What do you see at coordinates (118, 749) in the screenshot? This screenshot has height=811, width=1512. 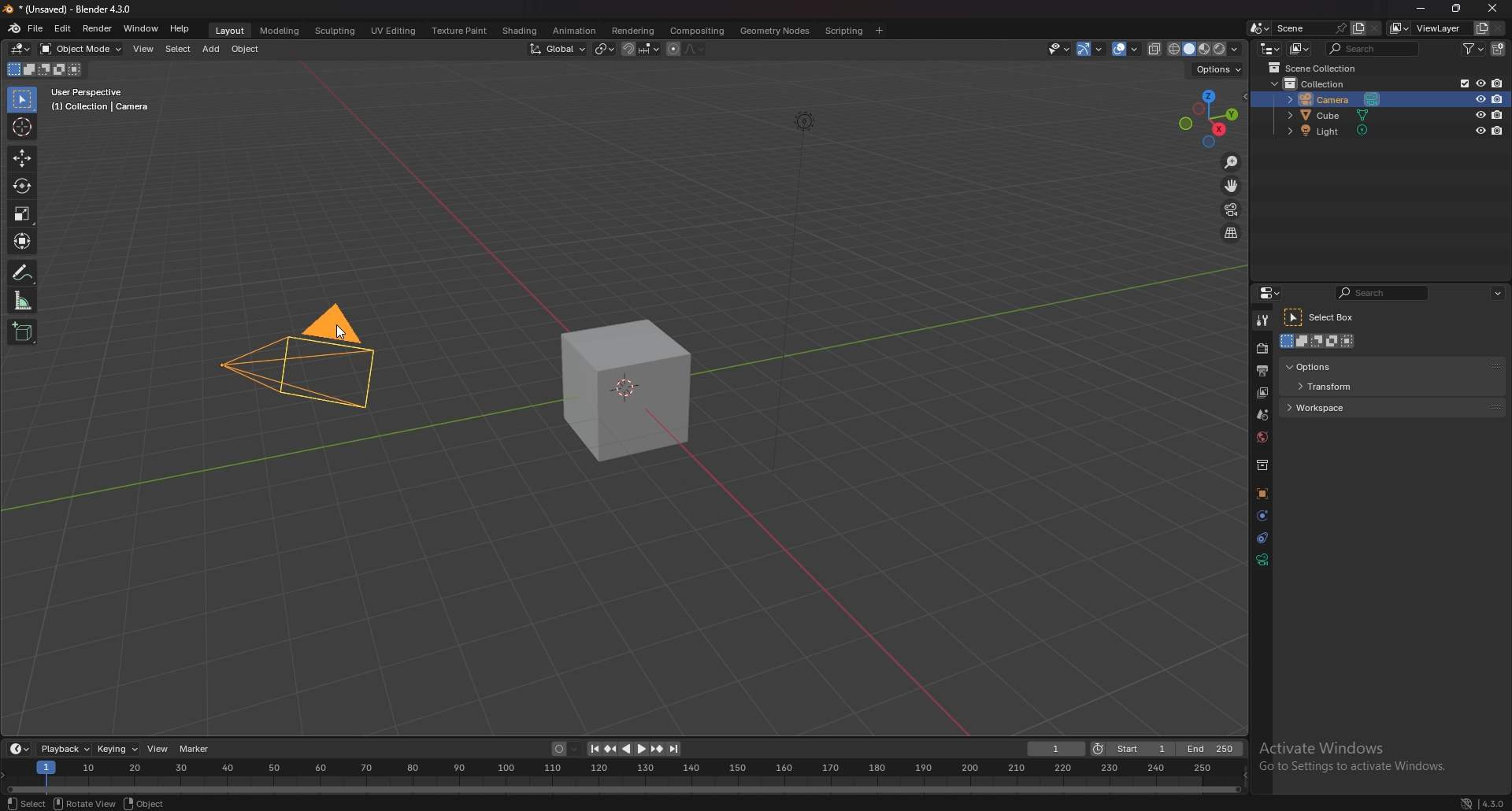 I see `keying` at bounding box center [118, 749].